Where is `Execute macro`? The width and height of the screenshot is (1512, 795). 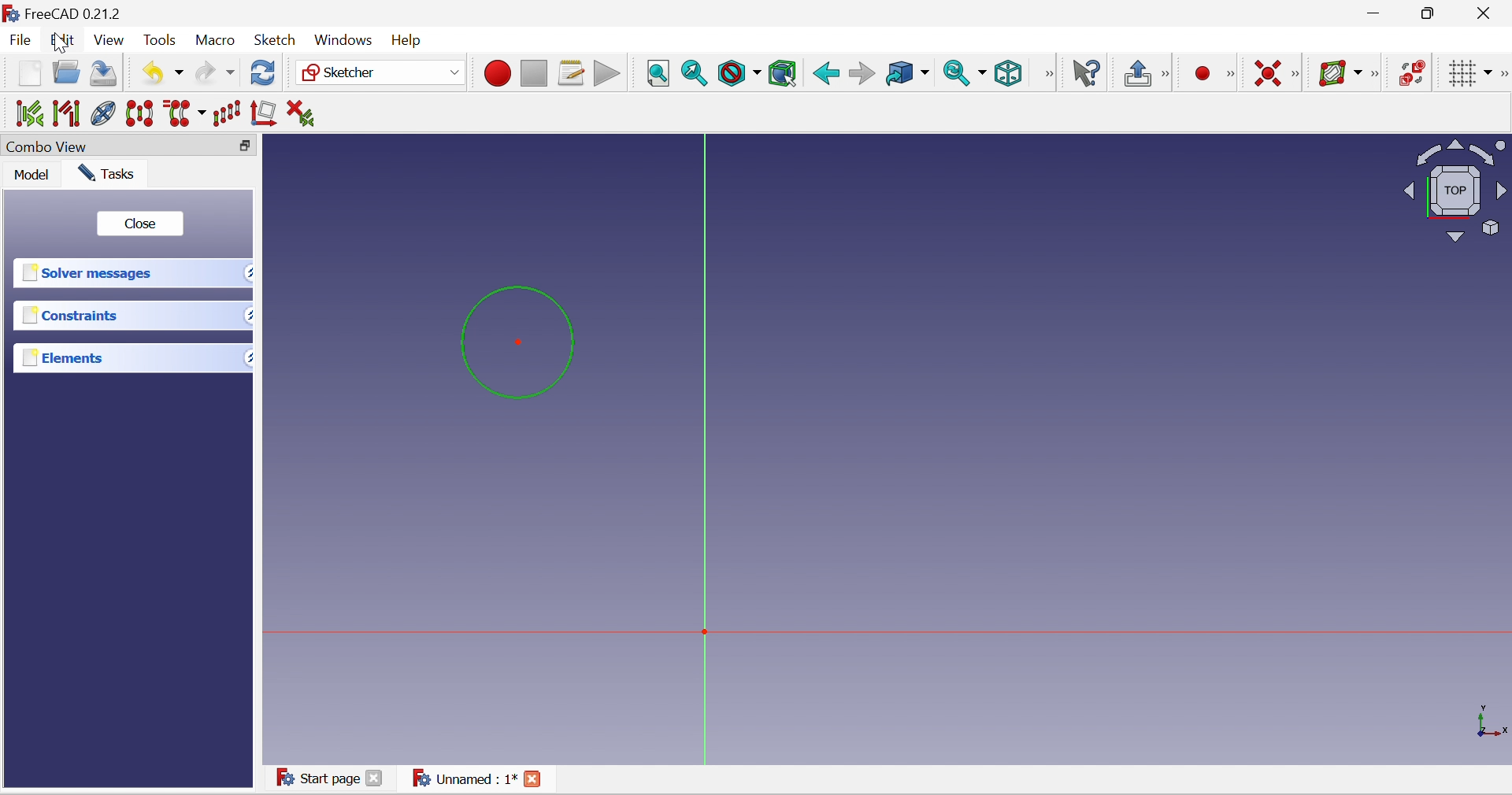
Execute macro is located at coordinates (607, 75).